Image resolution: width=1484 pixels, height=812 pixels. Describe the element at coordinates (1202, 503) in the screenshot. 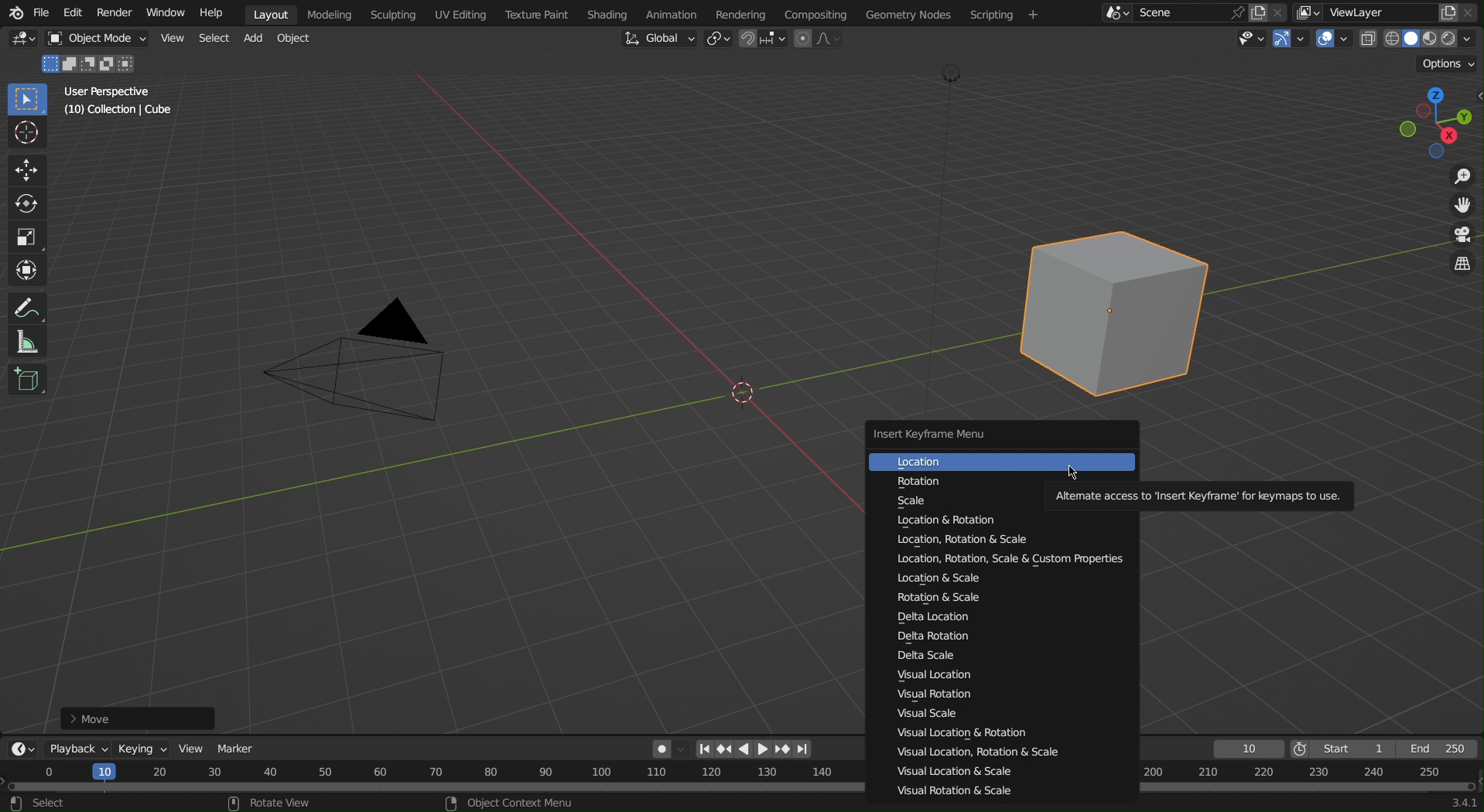

I see `Alternate access to insert Keyframes` at that location.